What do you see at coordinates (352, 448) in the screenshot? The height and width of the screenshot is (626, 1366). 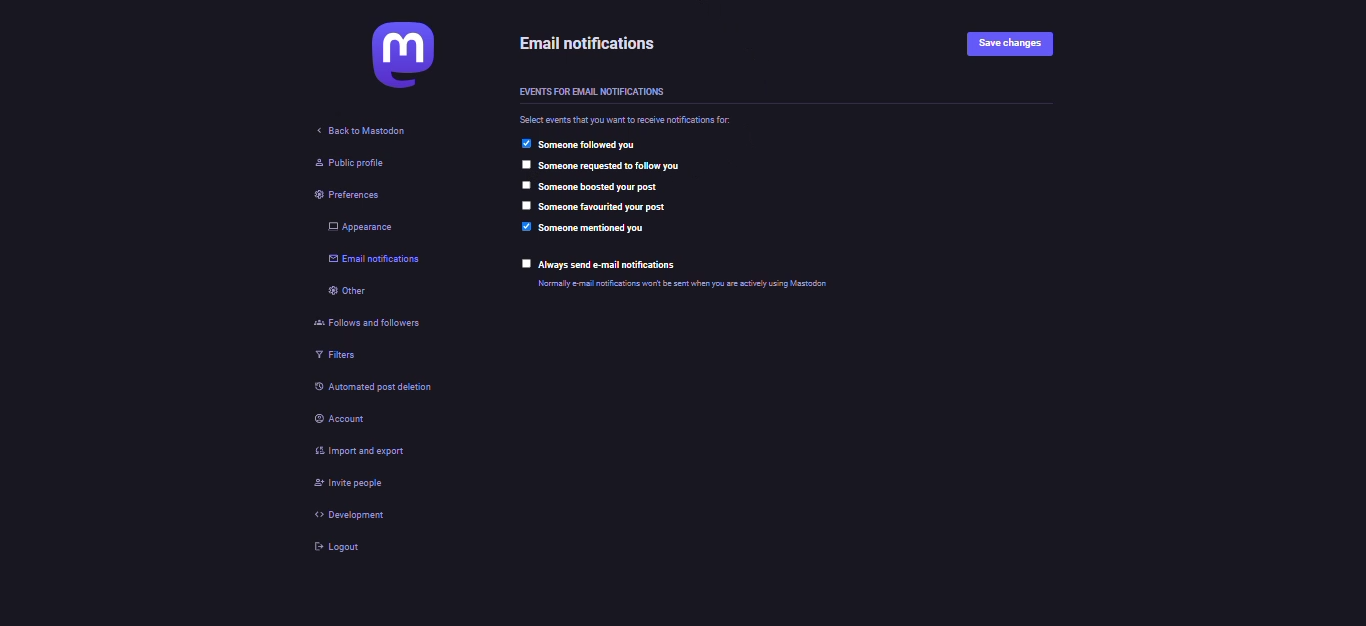 I see `import & export` at bounding box center [352, 448].